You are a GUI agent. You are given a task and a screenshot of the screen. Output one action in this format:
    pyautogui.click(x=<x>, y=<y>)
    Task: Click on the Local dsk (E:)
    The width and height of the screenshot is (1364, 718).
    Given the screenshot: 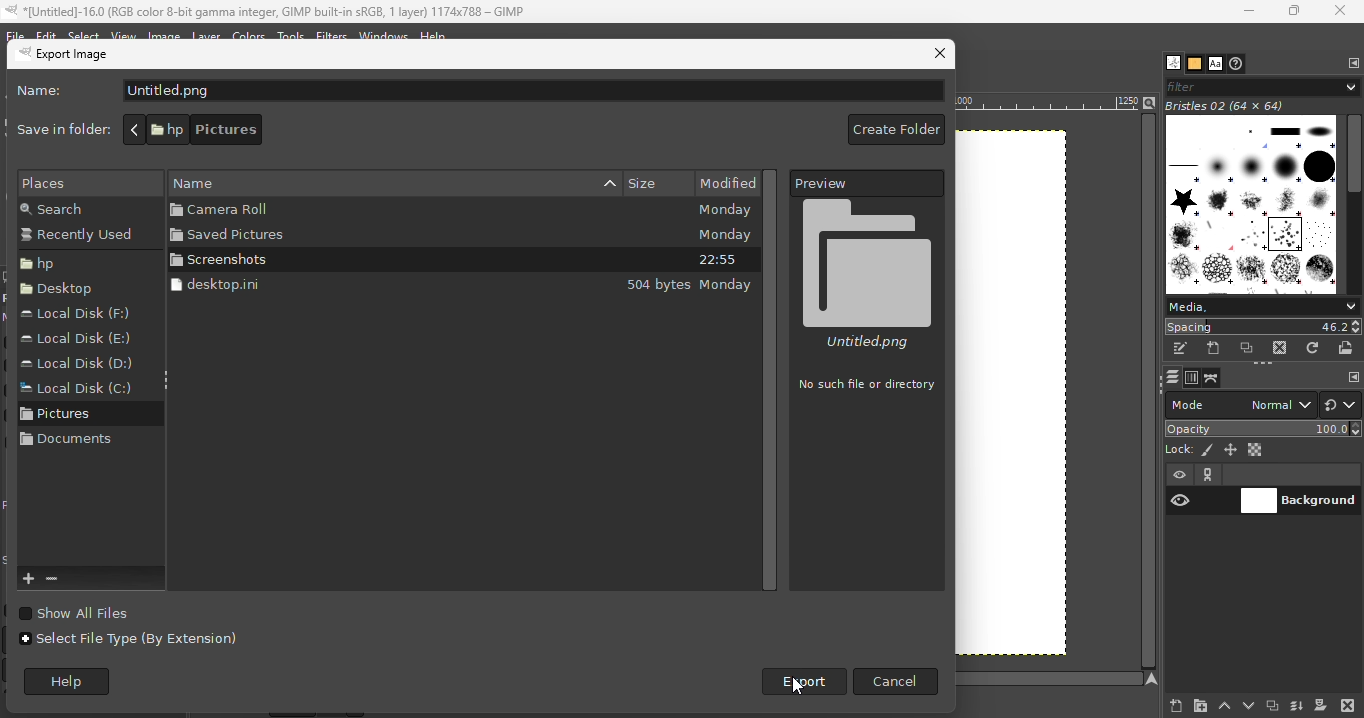 What is the action you would take?
    pyautogui.click(x=76, y=340)
    